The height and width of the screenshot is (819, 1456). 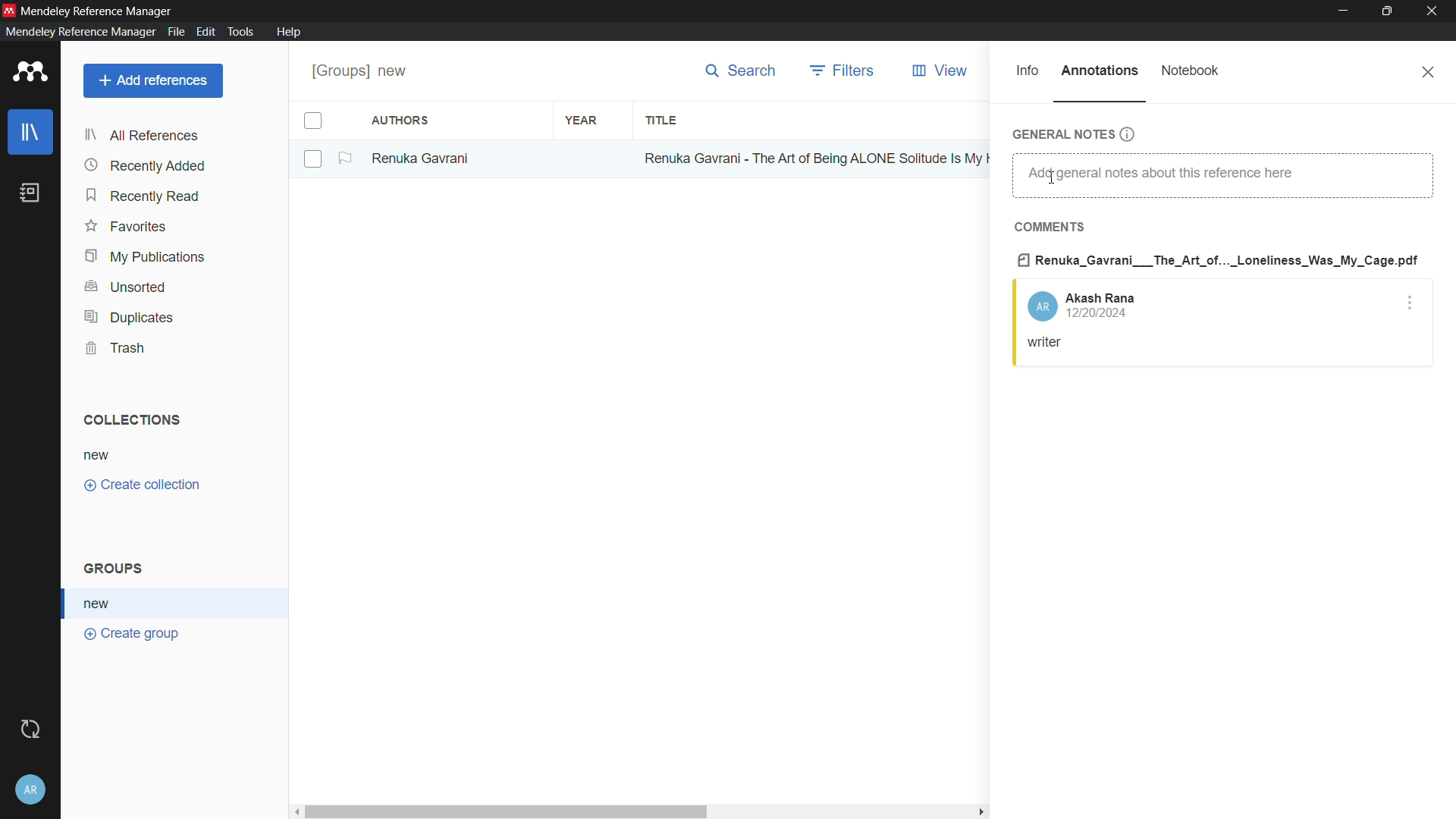 What do you see at coordinates (504, 810) in the screenshot?
I see `scrollbar` at bounding box center [504, 810].